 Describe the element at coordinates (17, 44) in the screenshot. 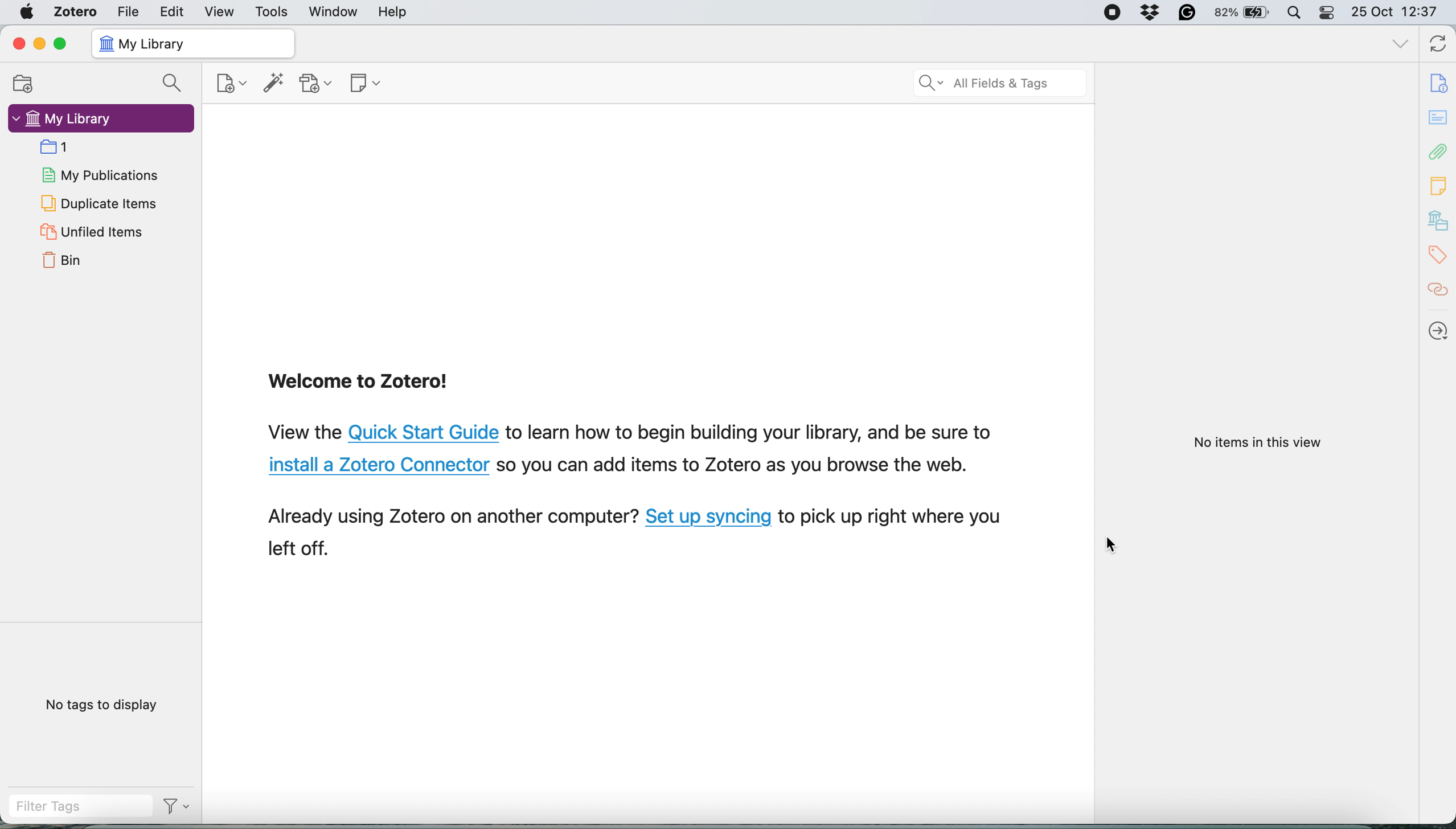

I see `close` at that location.